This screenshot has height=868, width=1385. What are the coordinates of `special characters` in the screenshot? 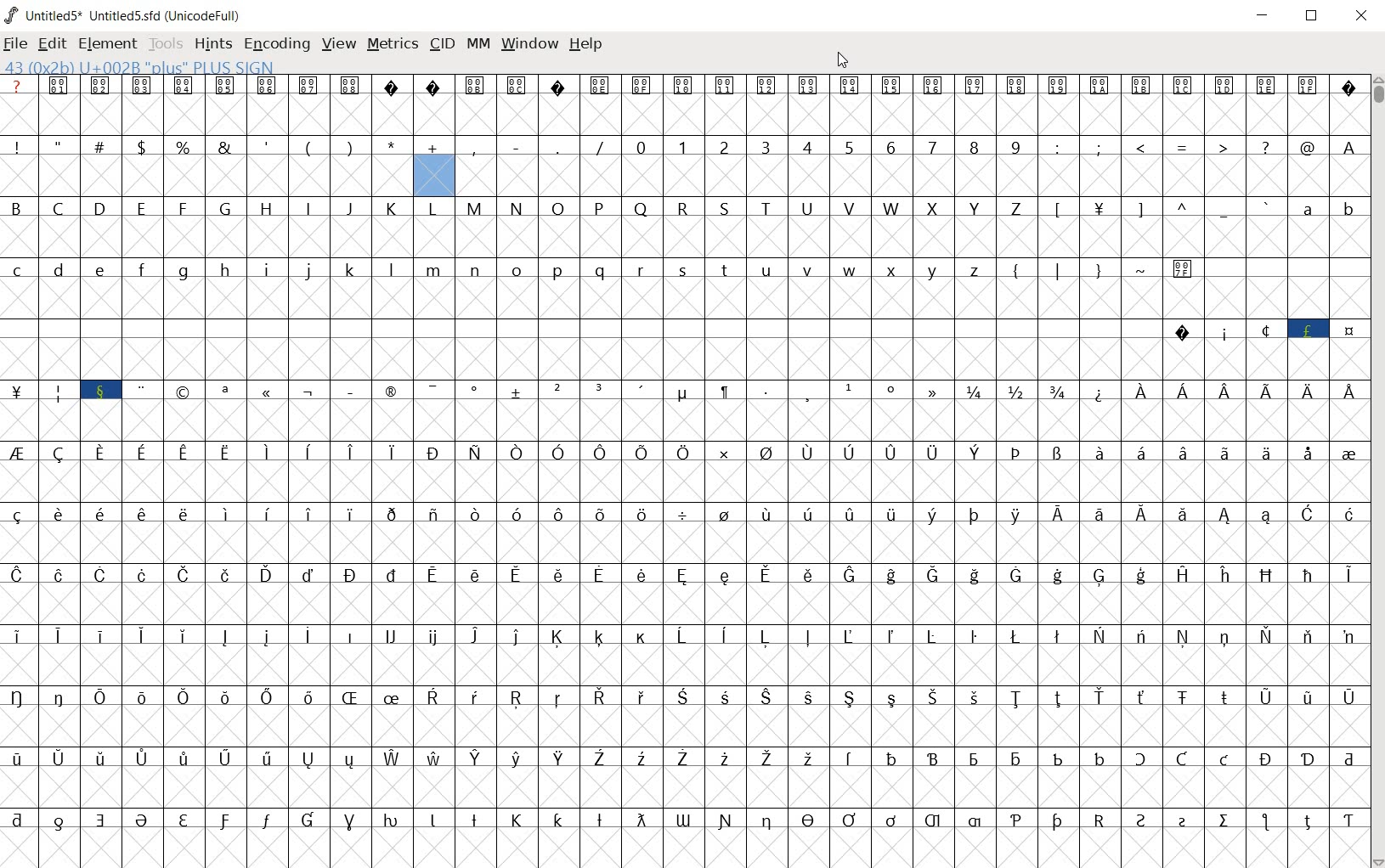 It's located at (1203, 228).